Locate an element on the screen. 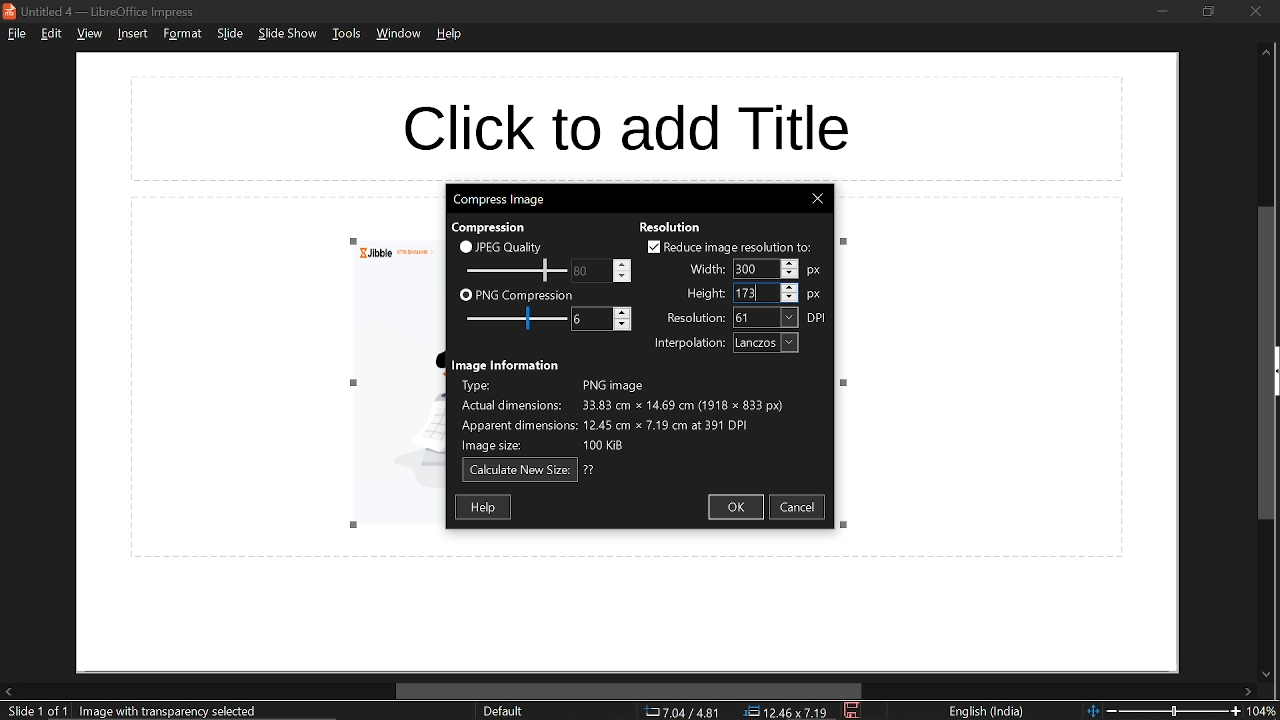  insert is located at coordinates (134, 34).